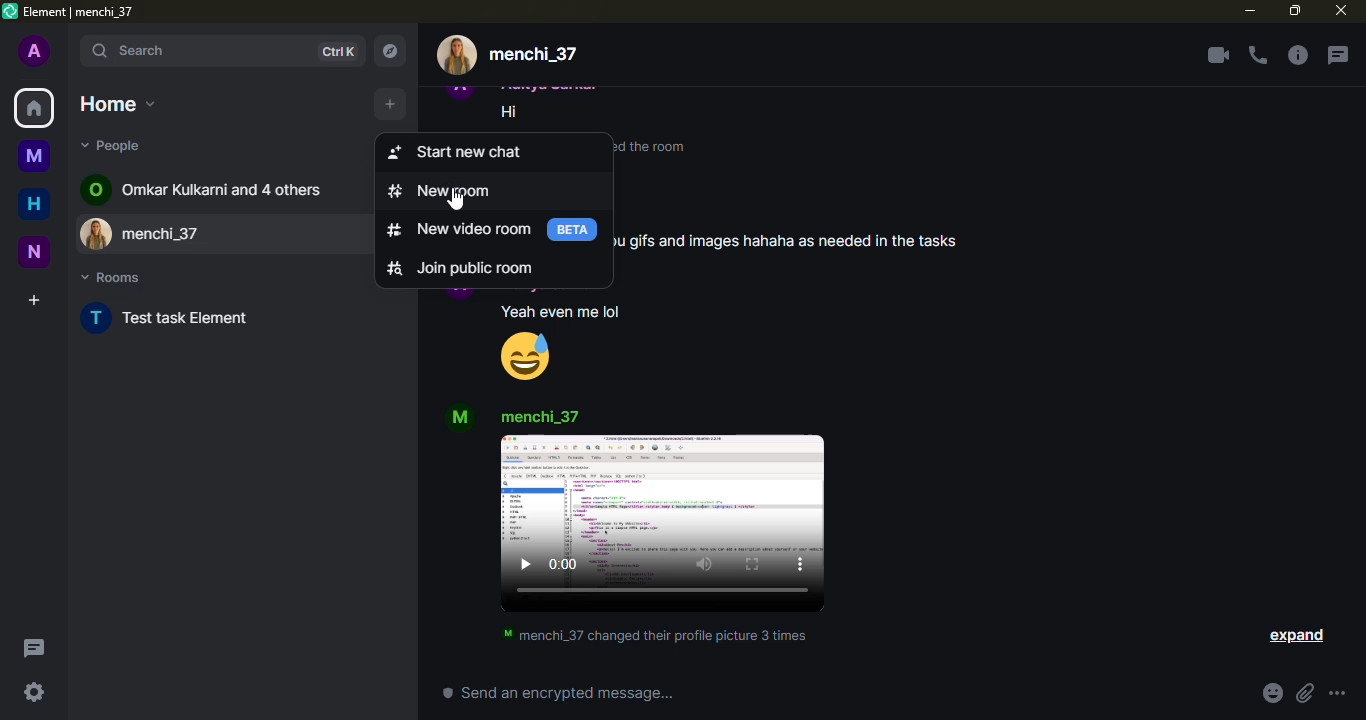 The height and width of the screenshot is (720, 1366). Describe the element at coordinates (533, 55) in the screenshot. I see `menchi_37` at that location.